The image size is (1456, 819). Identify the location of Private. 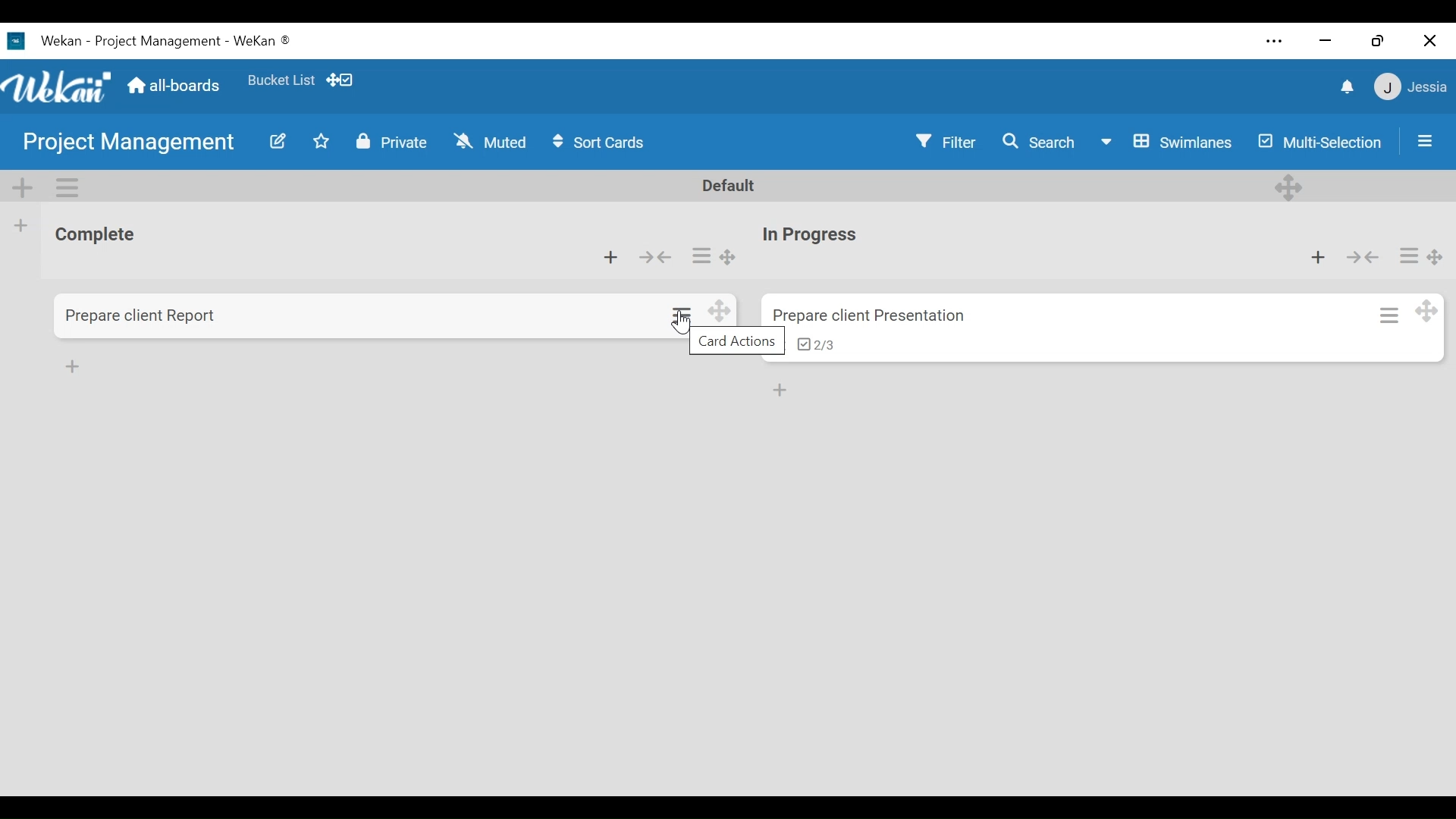
(394, 143).